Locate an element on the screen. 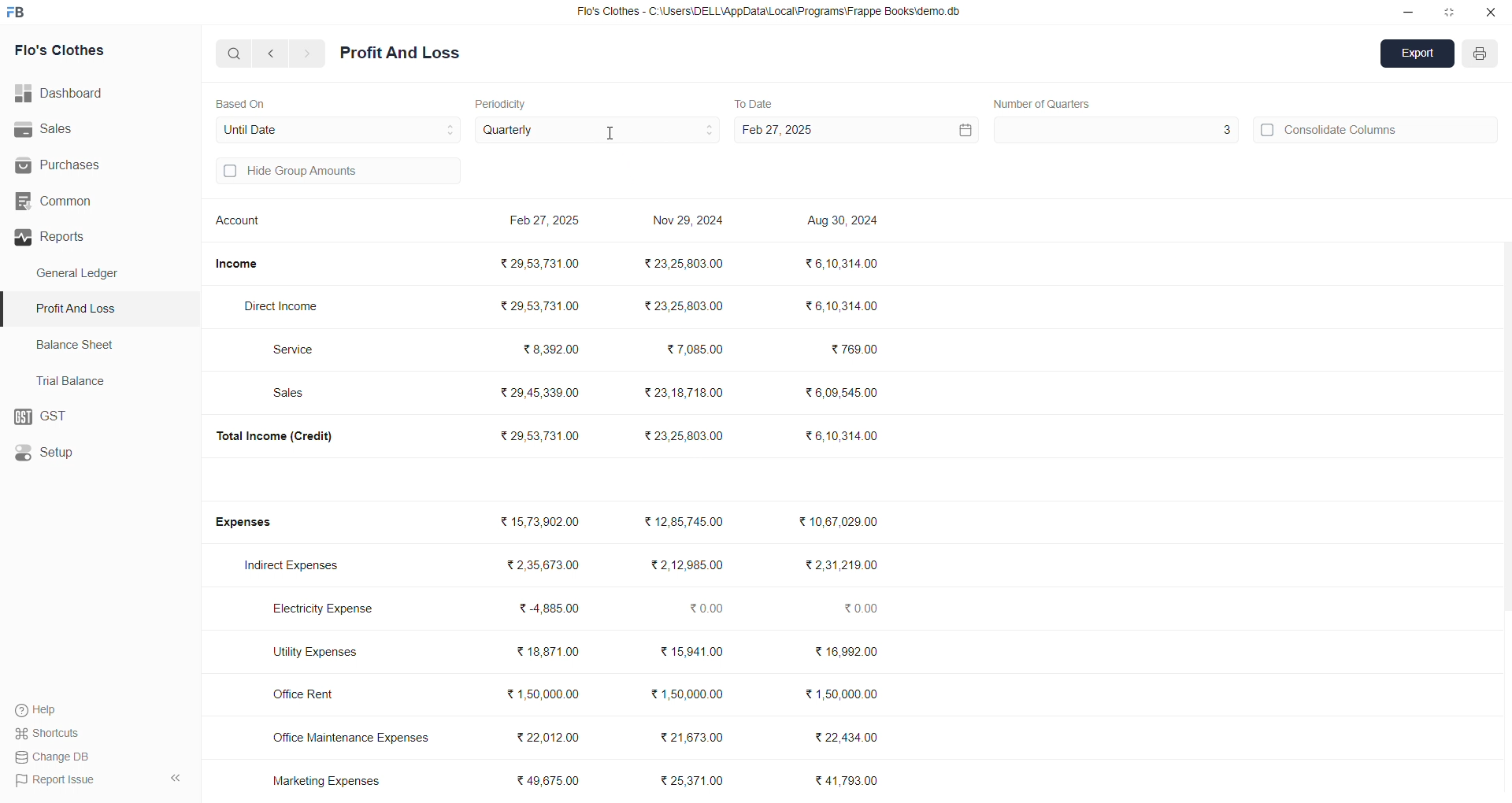 This screenshot has height=803, width=1512. ₹23,25,803.00 is located at coordinates (687, 435).